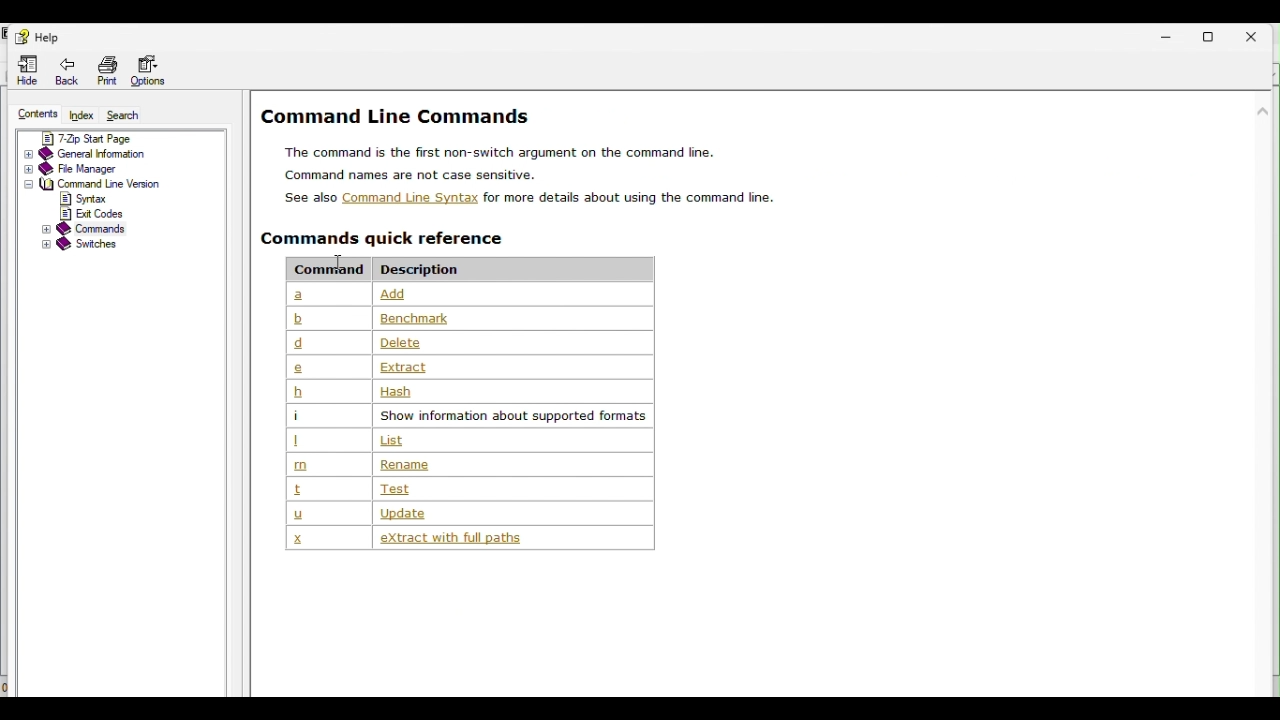 The width and height of the screenshot is (1280, 720). What do you see at coordinates (106, 137) in the screenshot?
I see `7 zip start page` at bounding box center [106, 137].